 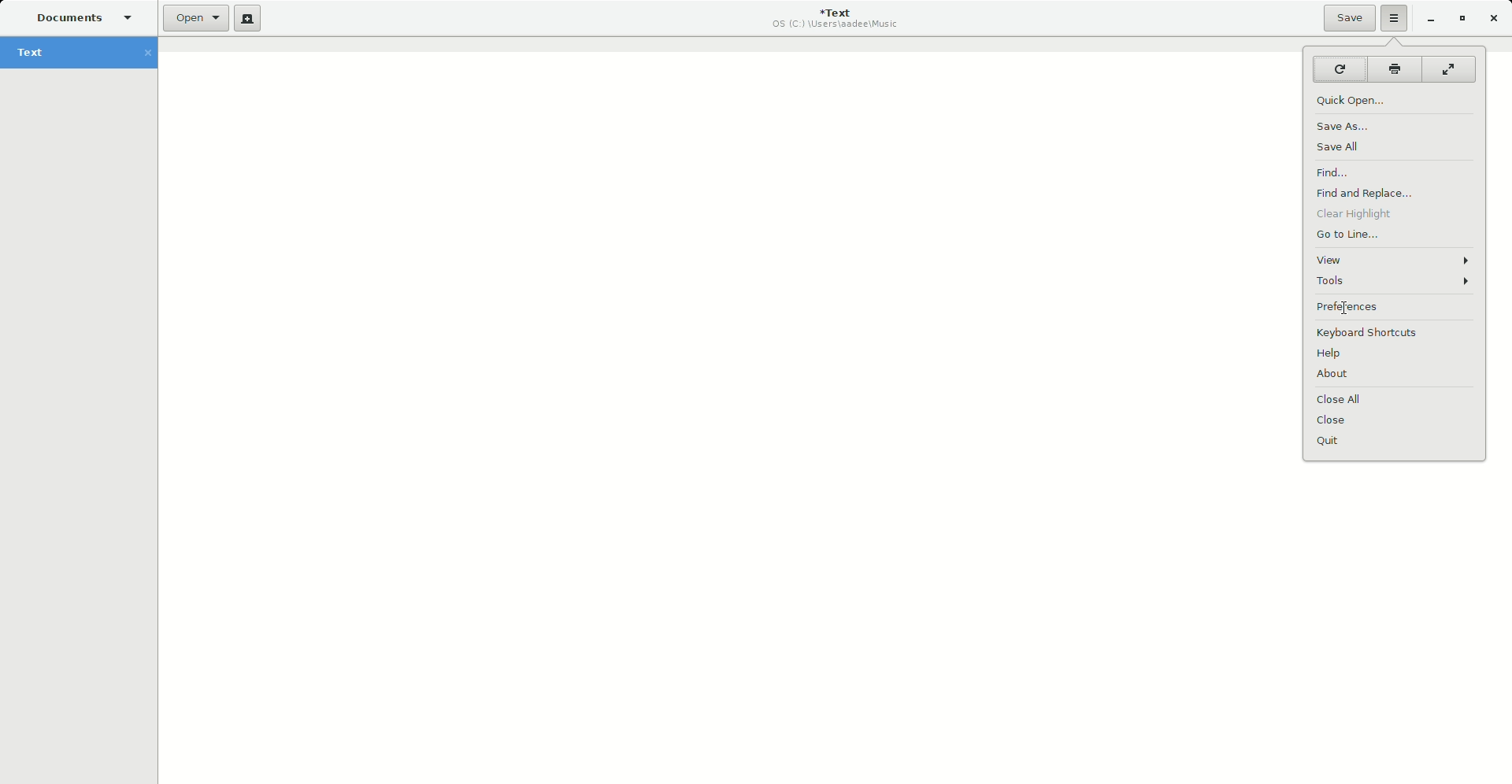 I want to click on Save All, so click(x=1342, y=146).